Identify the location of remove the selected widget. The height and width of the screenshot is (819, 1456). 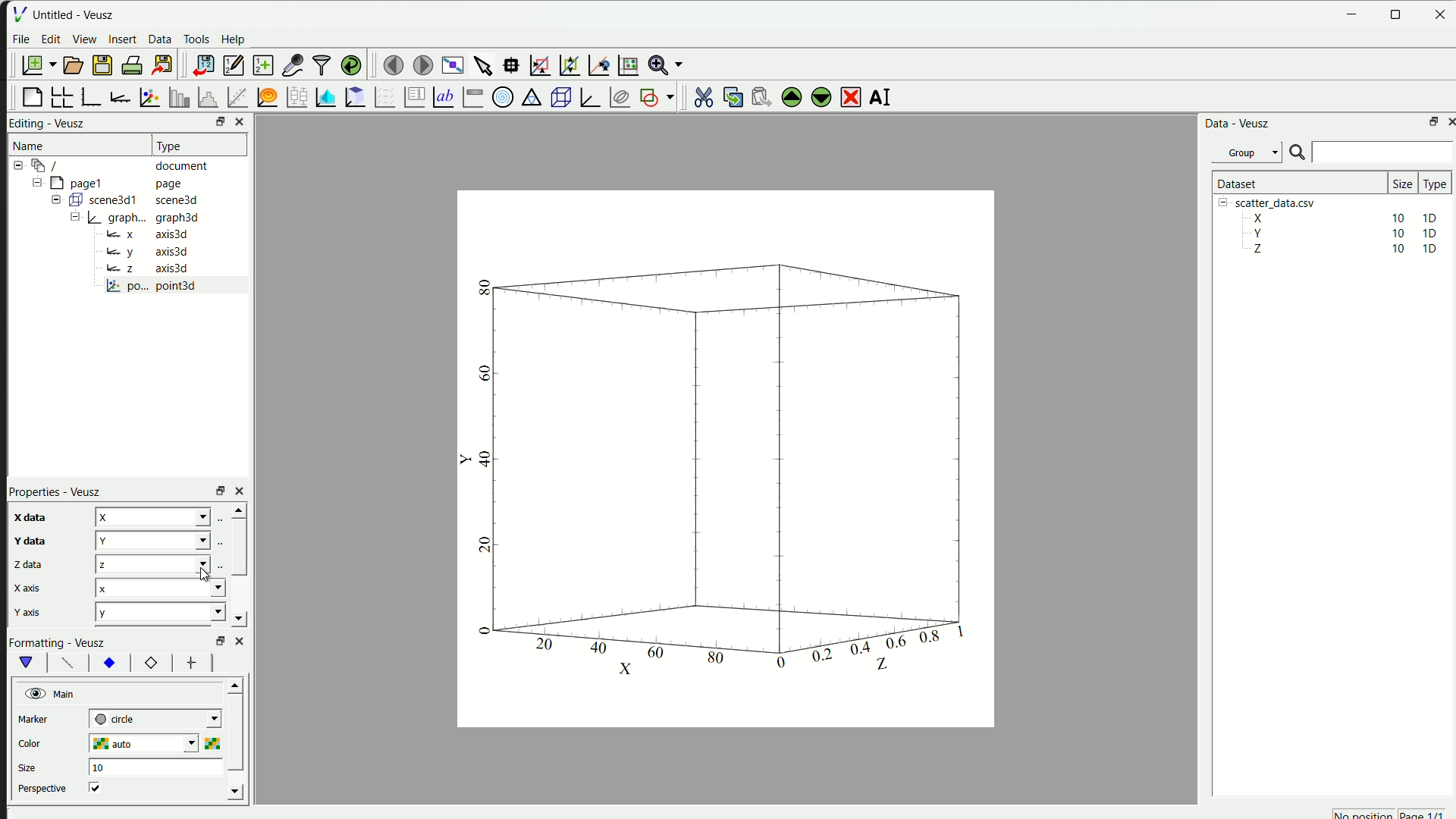
(848, 96).